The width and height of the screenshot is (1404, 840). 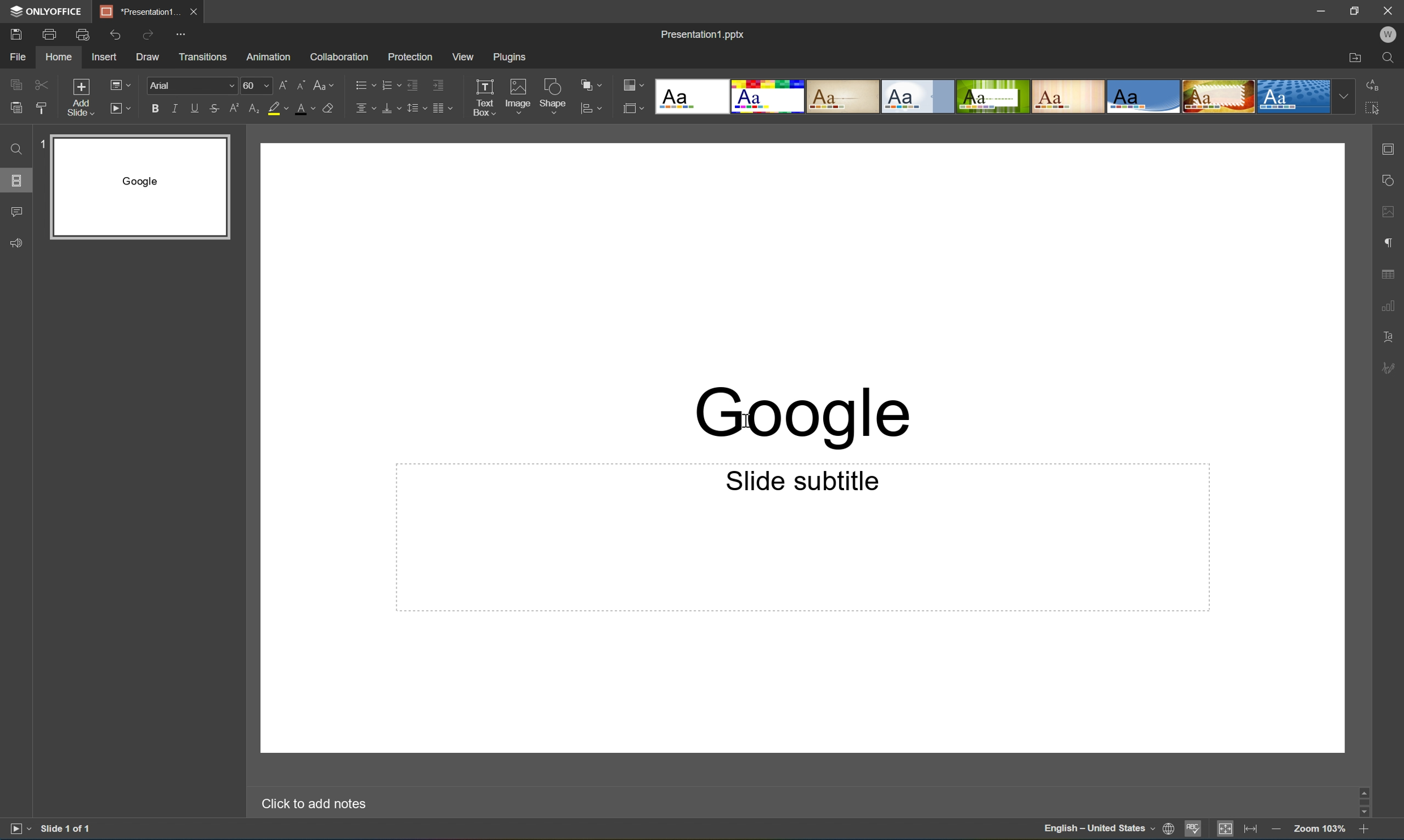 What do you see at coordinates (803, 479) in the screenshot?
I see `Slide subtitle` at bounding box center [803, 479].